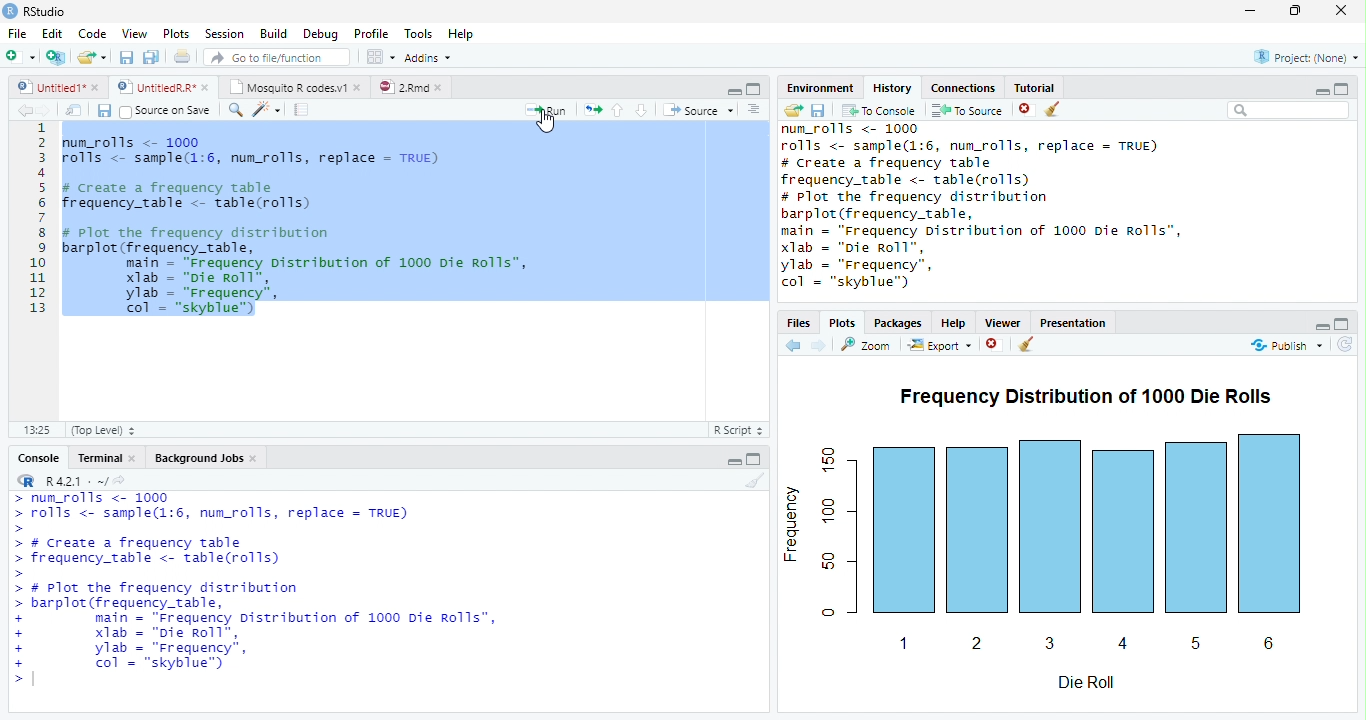 This screenshot has height=720, width=1366. What do you see at coordinates (1002, 321) in the screenshot?
I see `Viewer` at bounding box center [1002, 321].